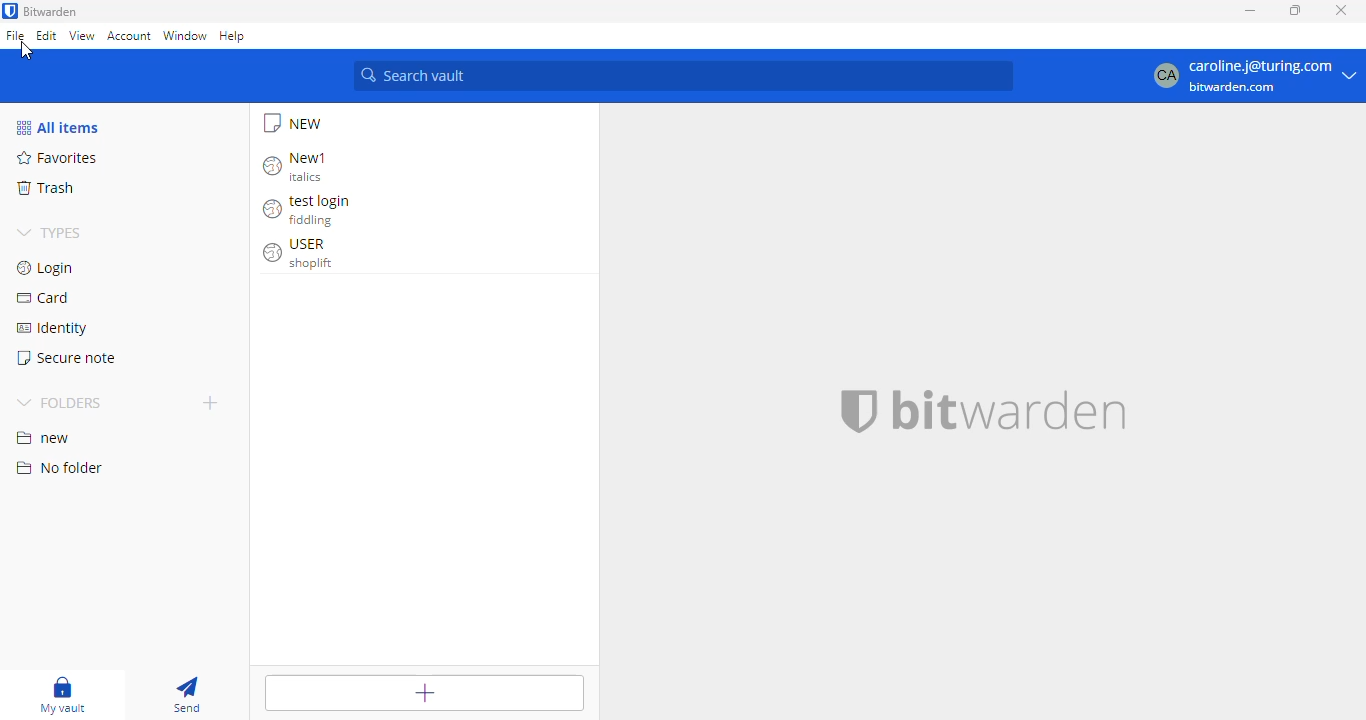 Image resolution: width=1366 pixels, height=720 pixels. Describe the element at coordinates (51, 328) in the screenshot. I see `identity` at that location.